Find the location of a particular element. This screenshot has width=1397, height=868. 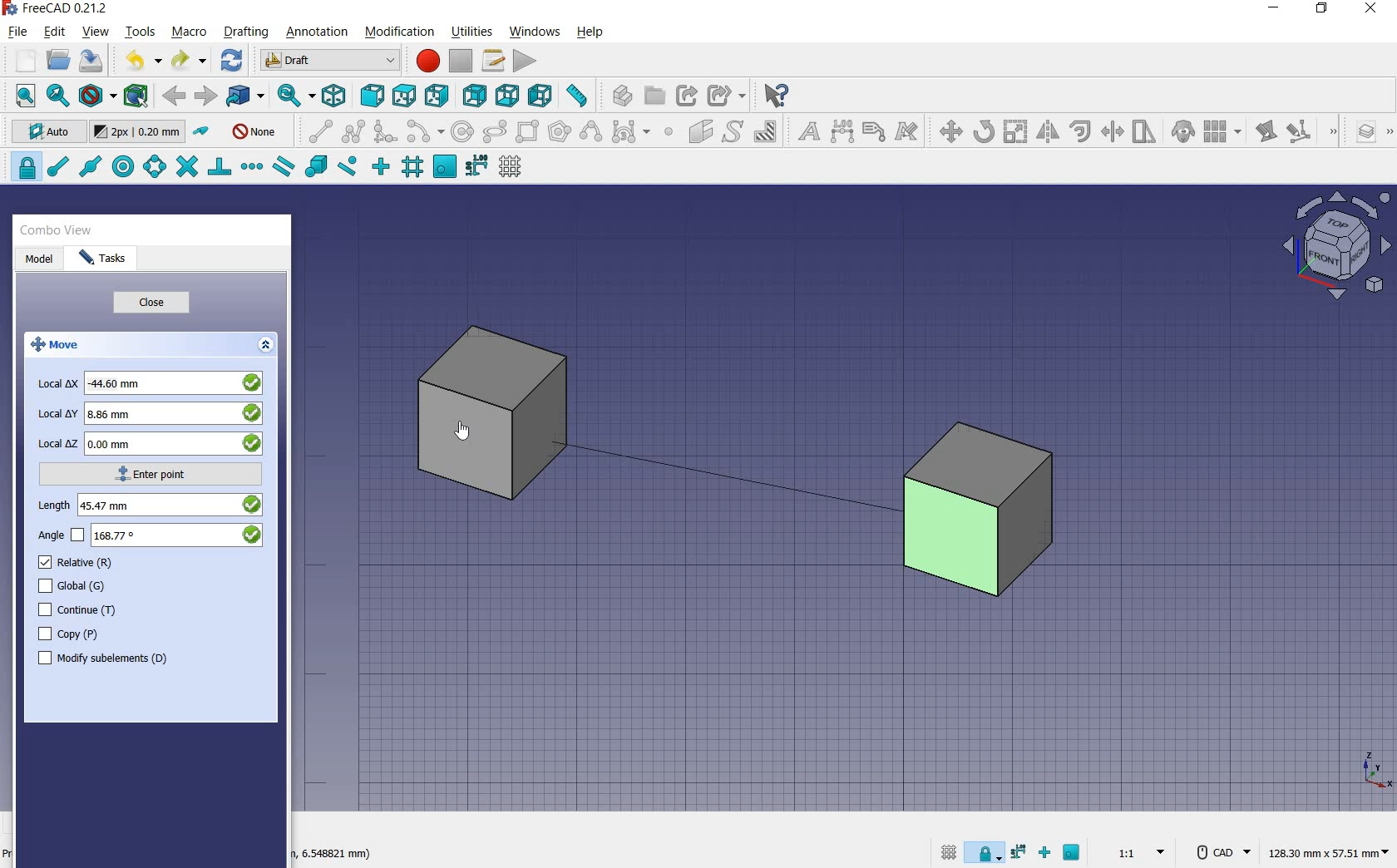

local x is located at coordinates (152, 383).